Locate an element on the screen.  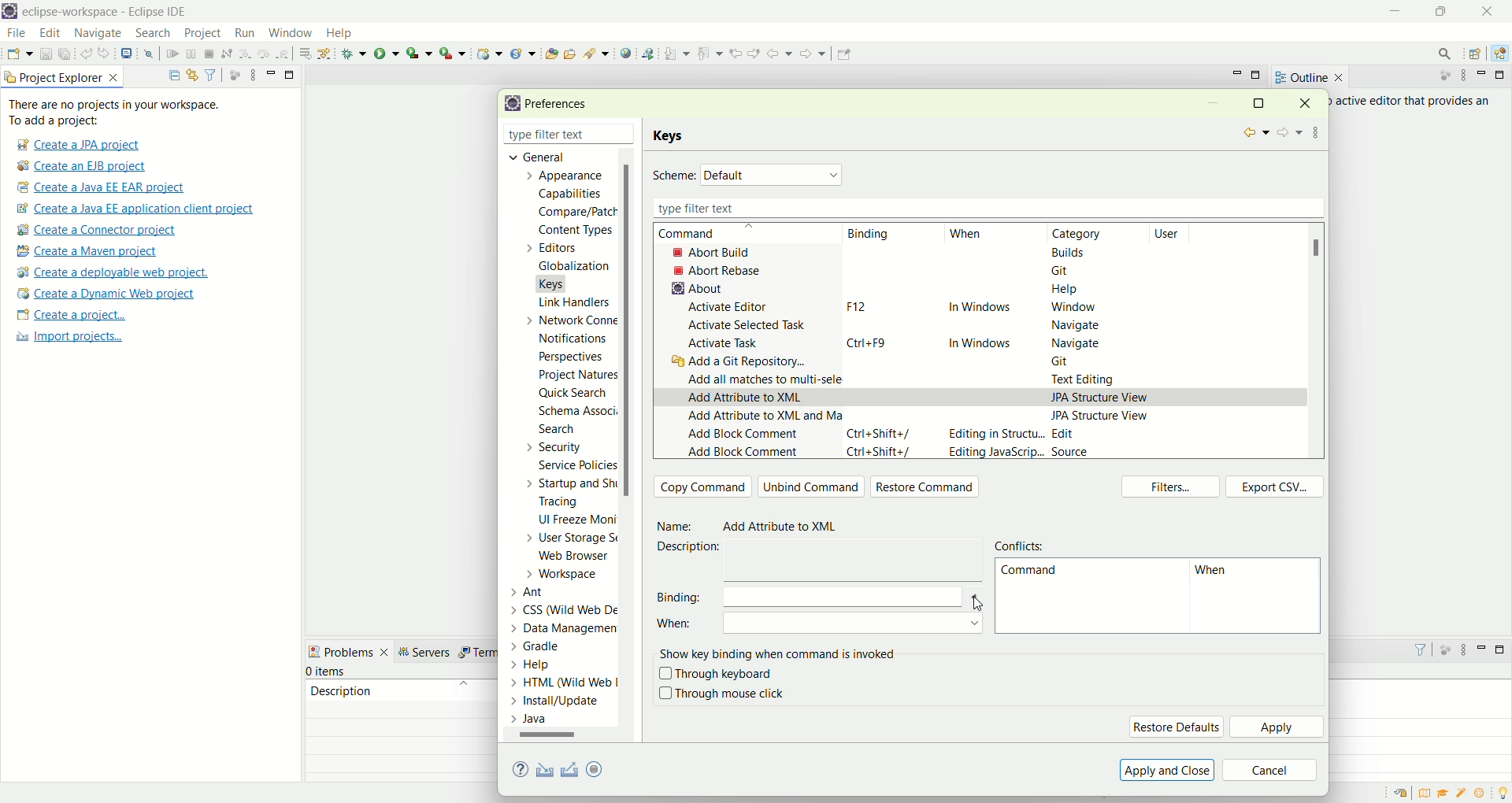
description is located at coordinates (341, 690).